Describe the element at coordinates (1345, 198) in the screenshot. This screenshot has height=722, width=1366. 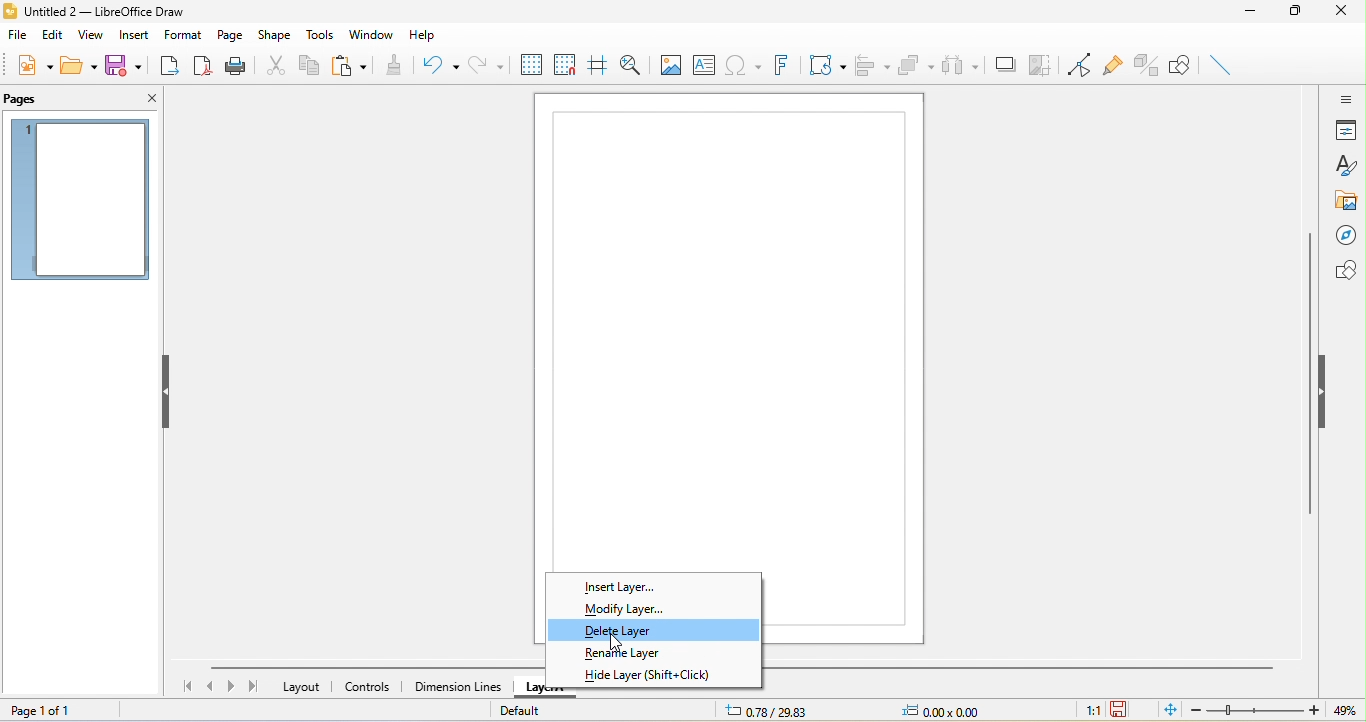
I see `gallery` at that location.